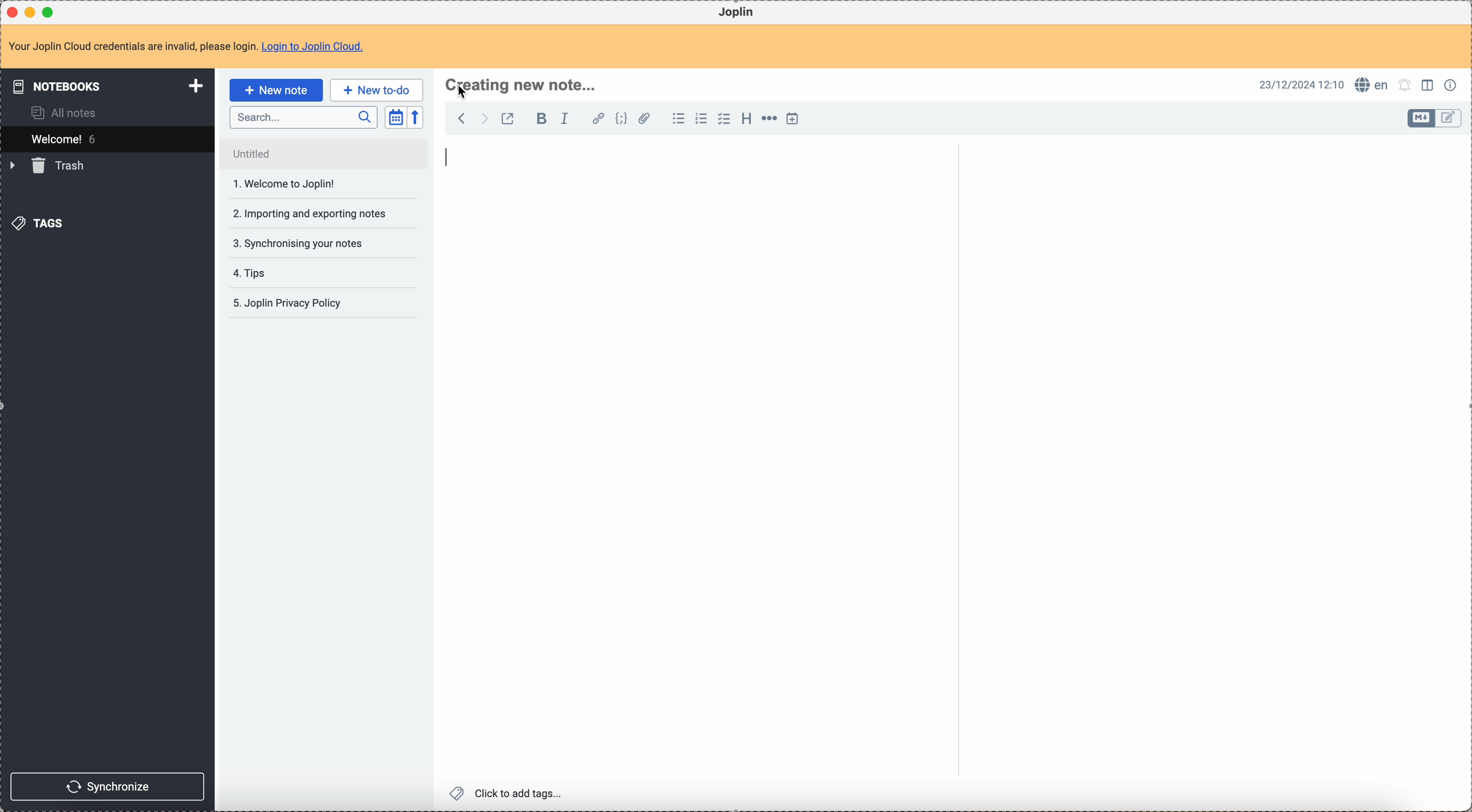  Describe the element at coordinates (746, 119) in the screenshot. I see `heading` at that location.